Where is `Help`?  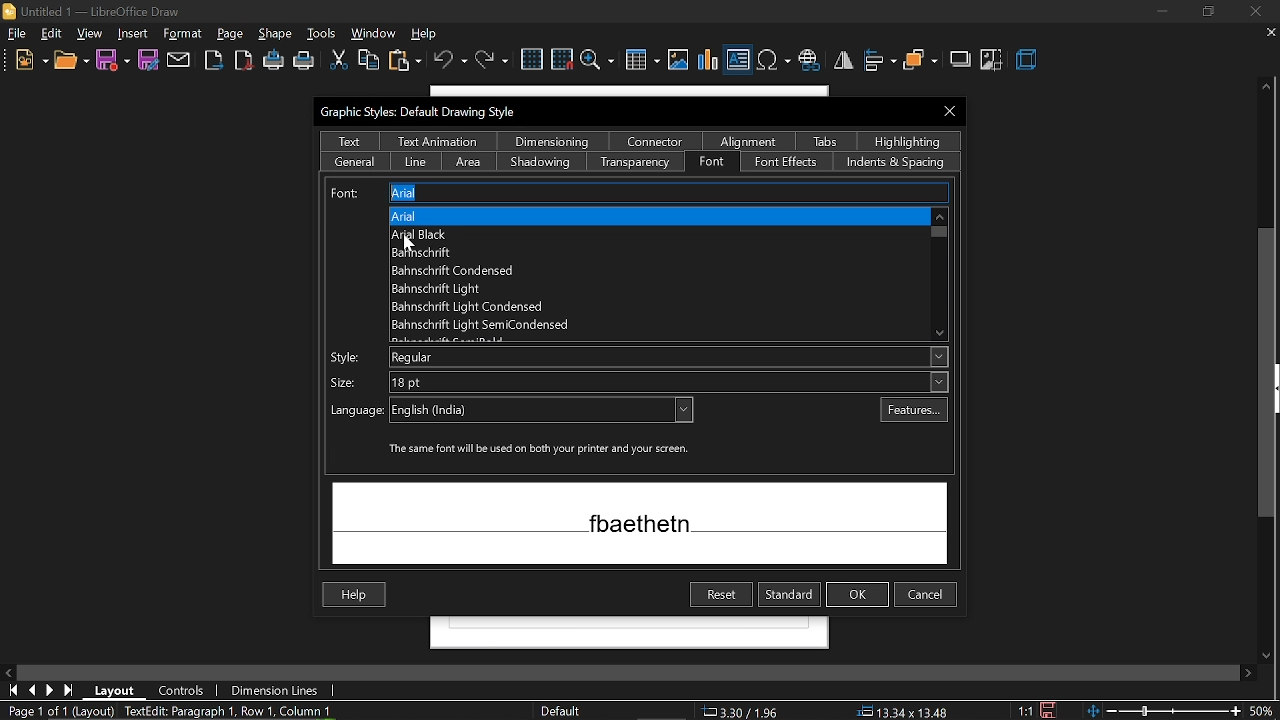 Help is located at coordinates (352, 594).